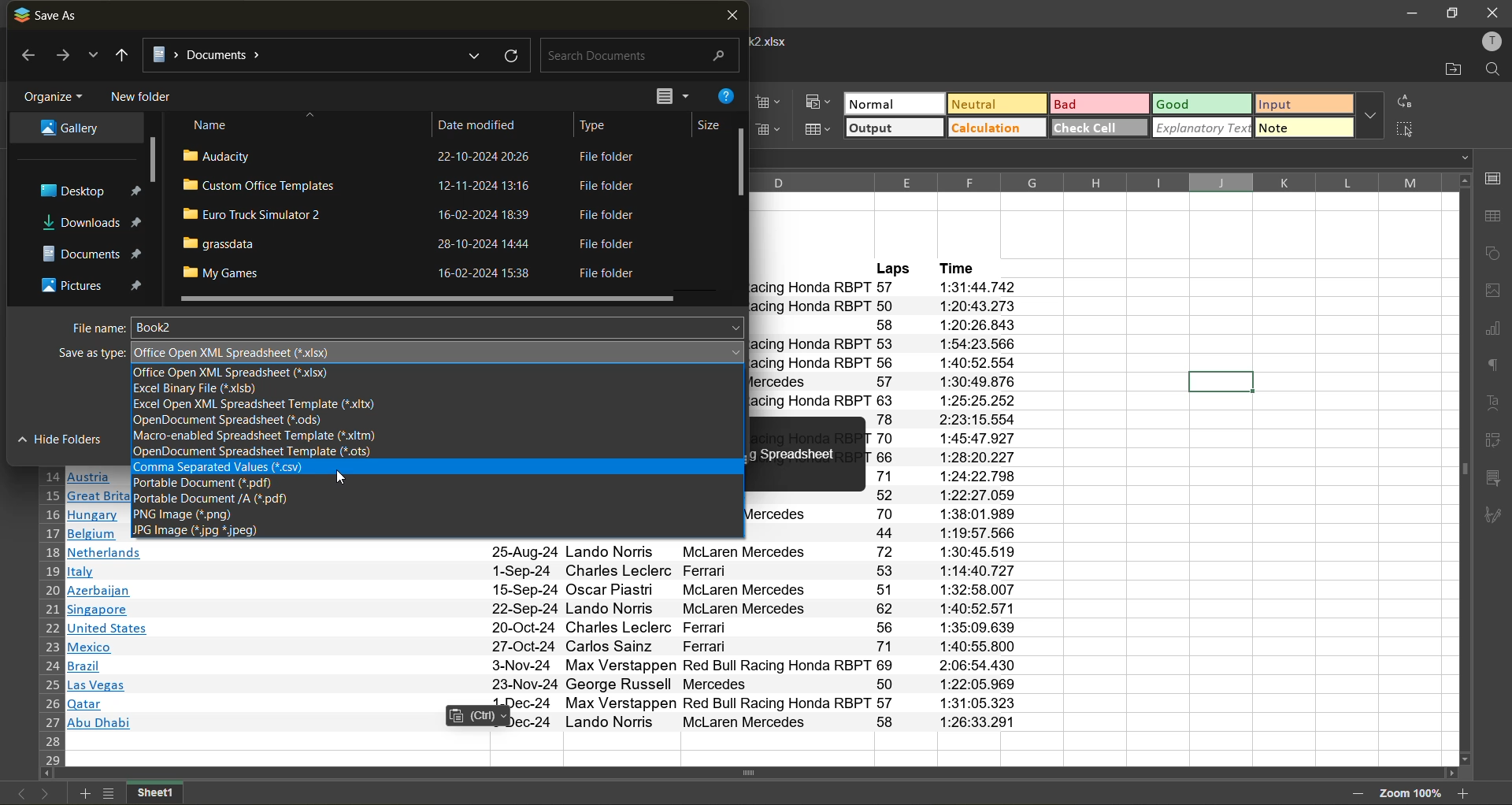  What do you see at coordinates (85, 192) in the screenshot?
I see `folder` at bounding box center [85, 192].